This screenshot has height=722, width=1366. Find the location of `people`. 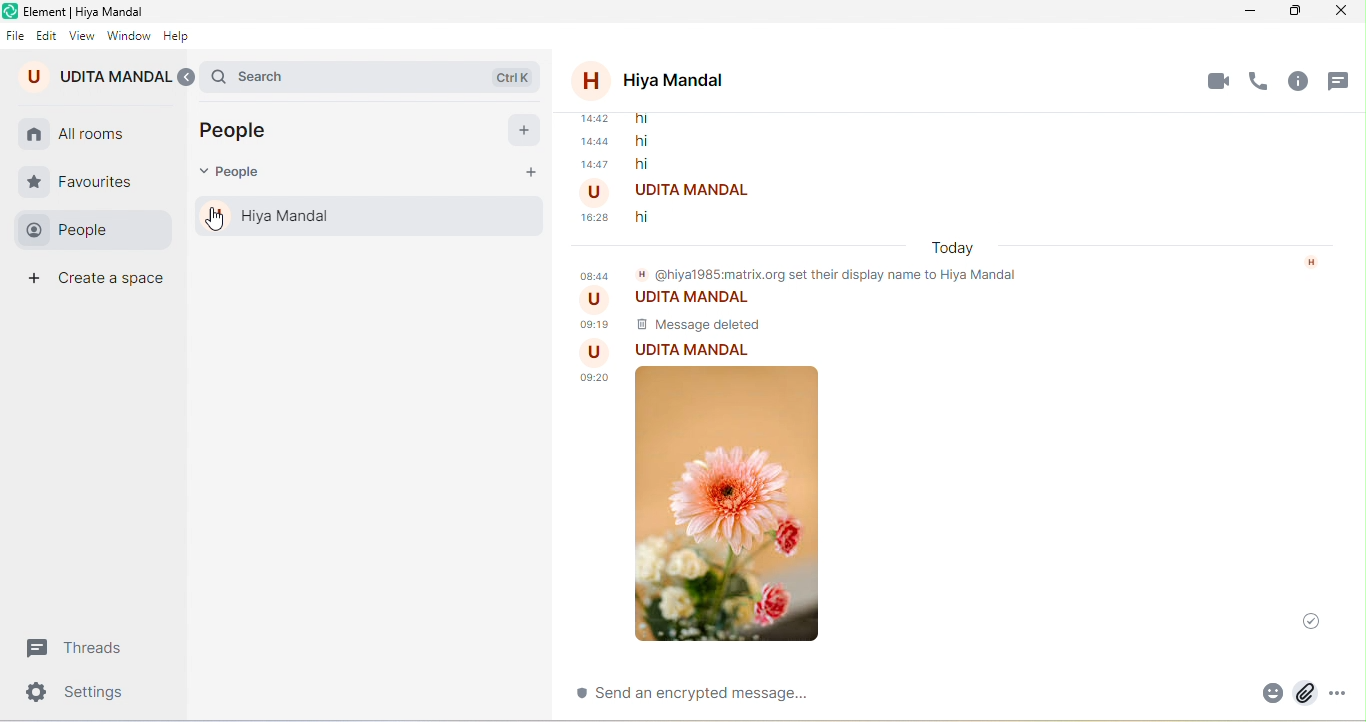

people is located at coordinates (88, 229).